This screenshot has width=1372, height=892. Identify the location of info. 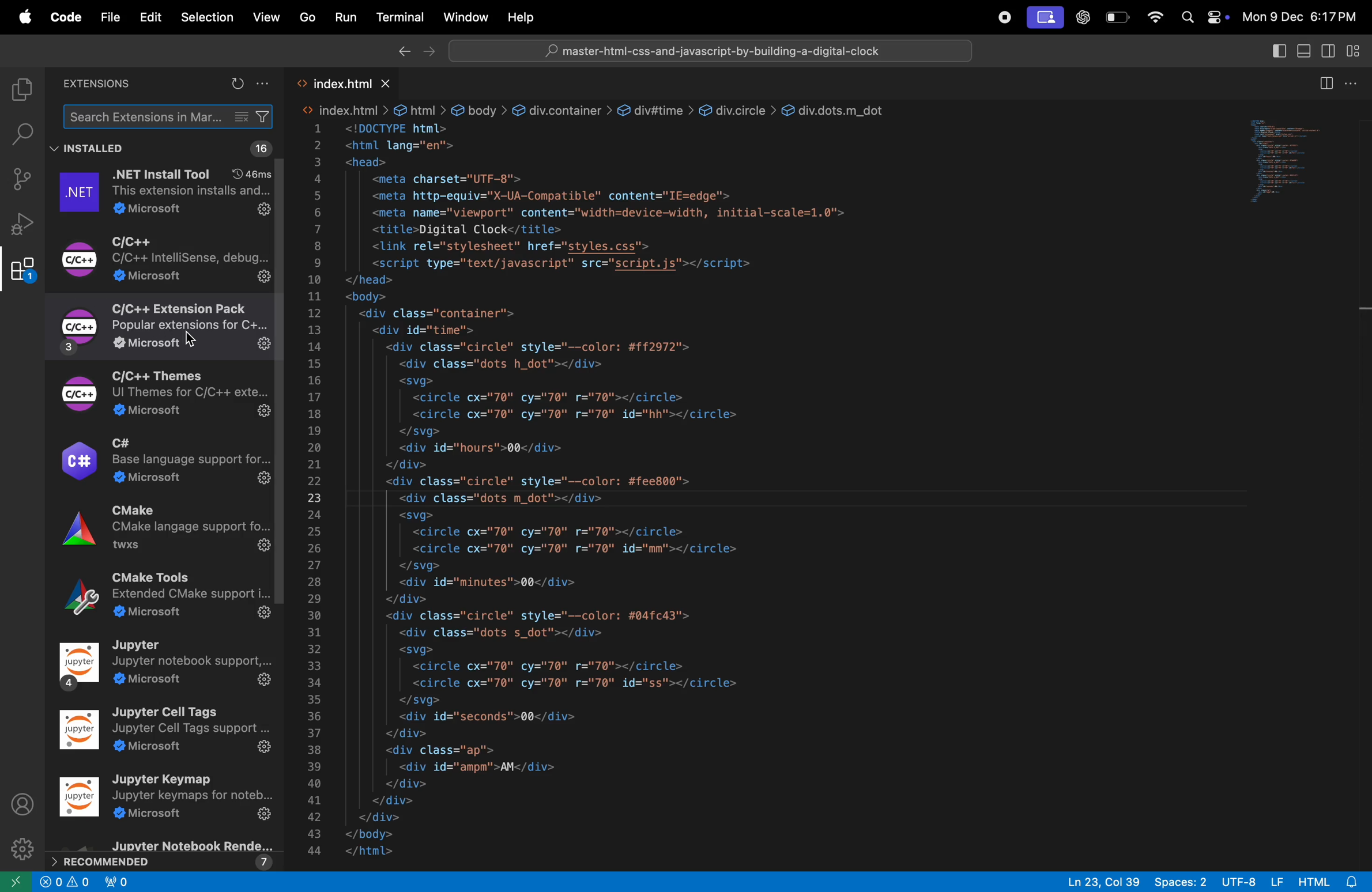
(66, 884).